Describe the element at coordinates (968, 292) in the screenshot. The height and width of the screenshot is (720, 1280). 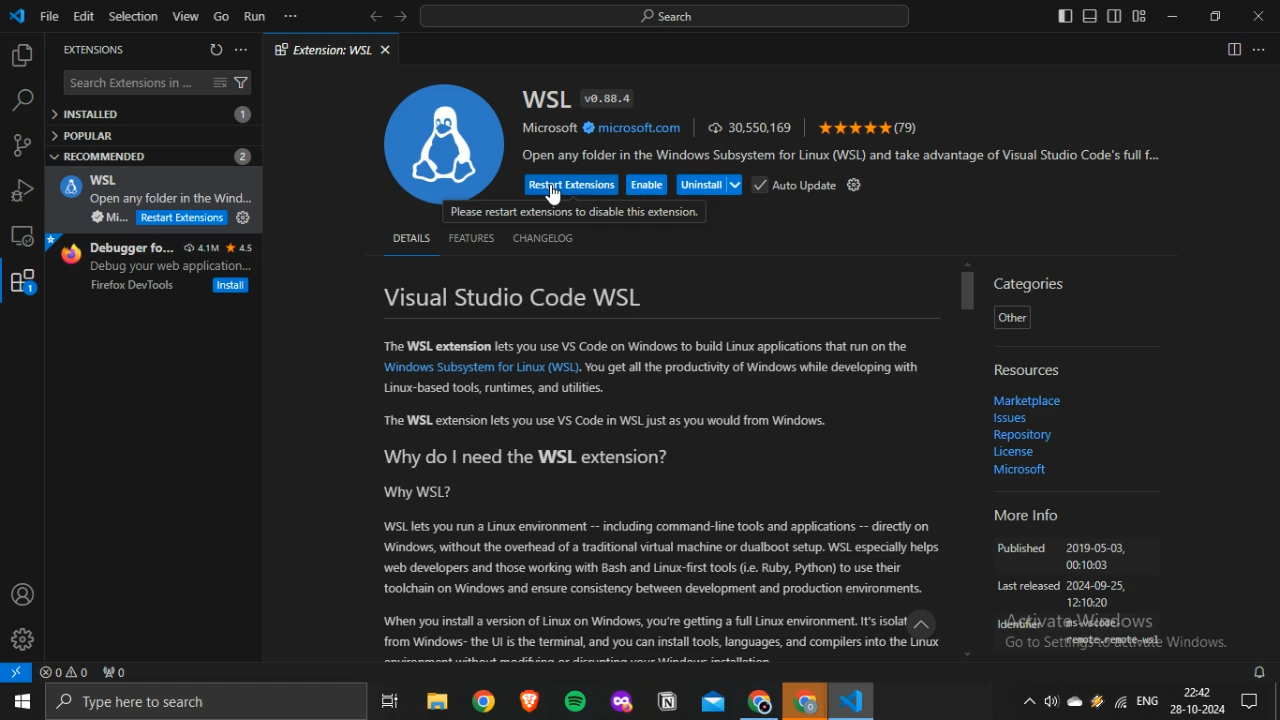
I see `scrollbar` at that location.